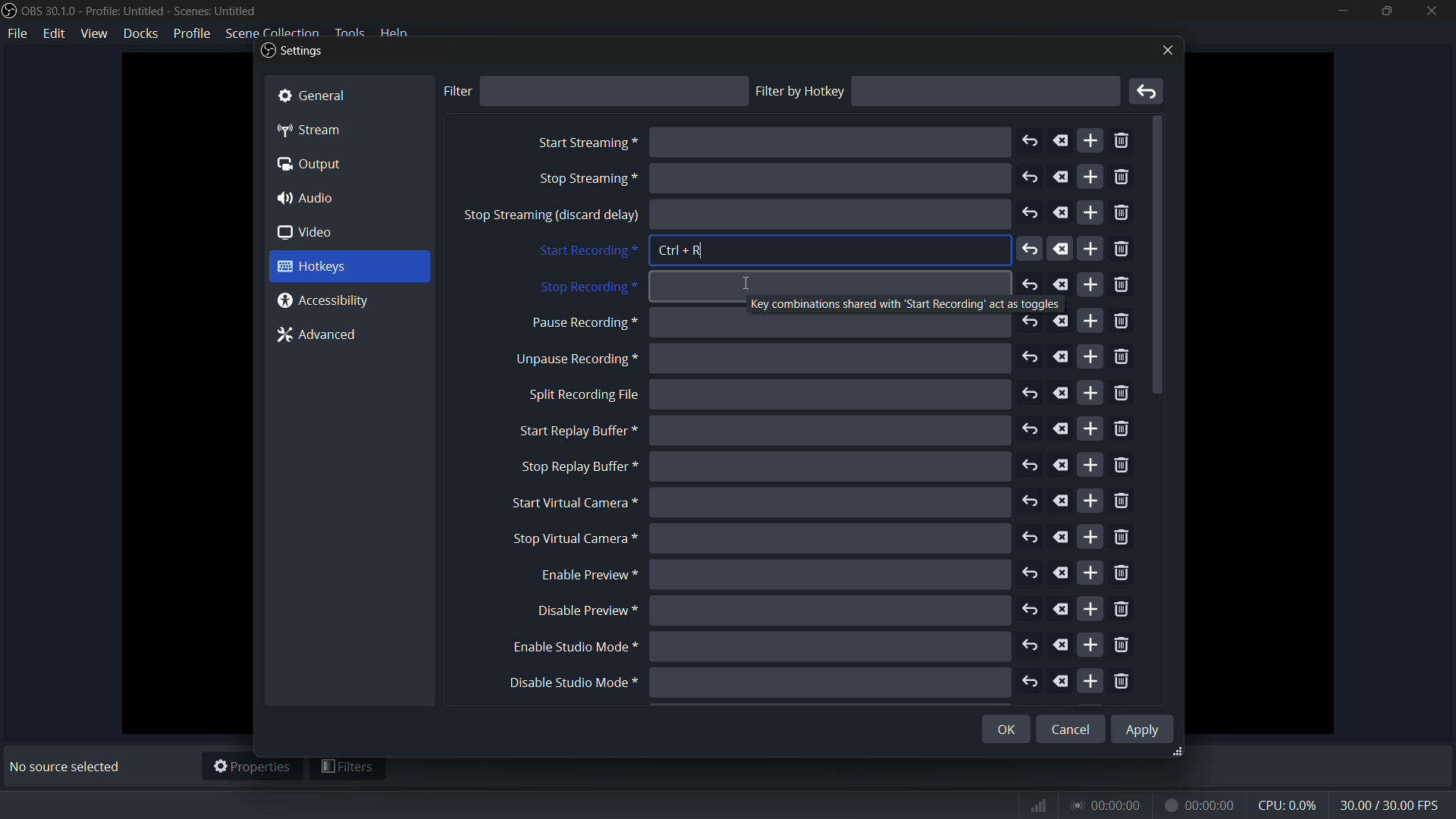 This screenshot has width=1456, height=819. I want to click on properties, so click(252, 767).